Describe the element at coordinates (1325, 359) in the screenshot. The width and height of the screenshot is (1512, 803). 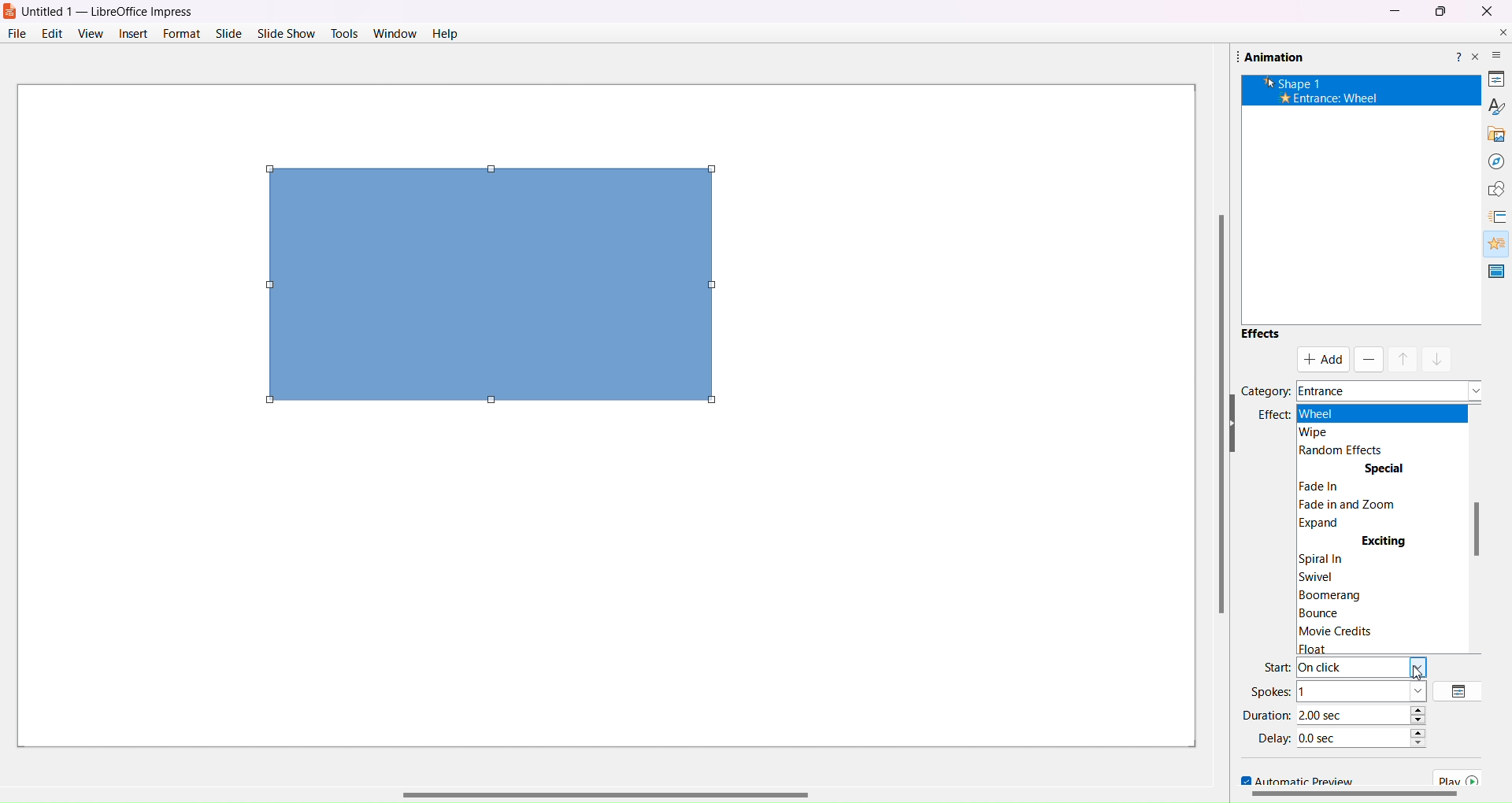
I see `Add` at that location.